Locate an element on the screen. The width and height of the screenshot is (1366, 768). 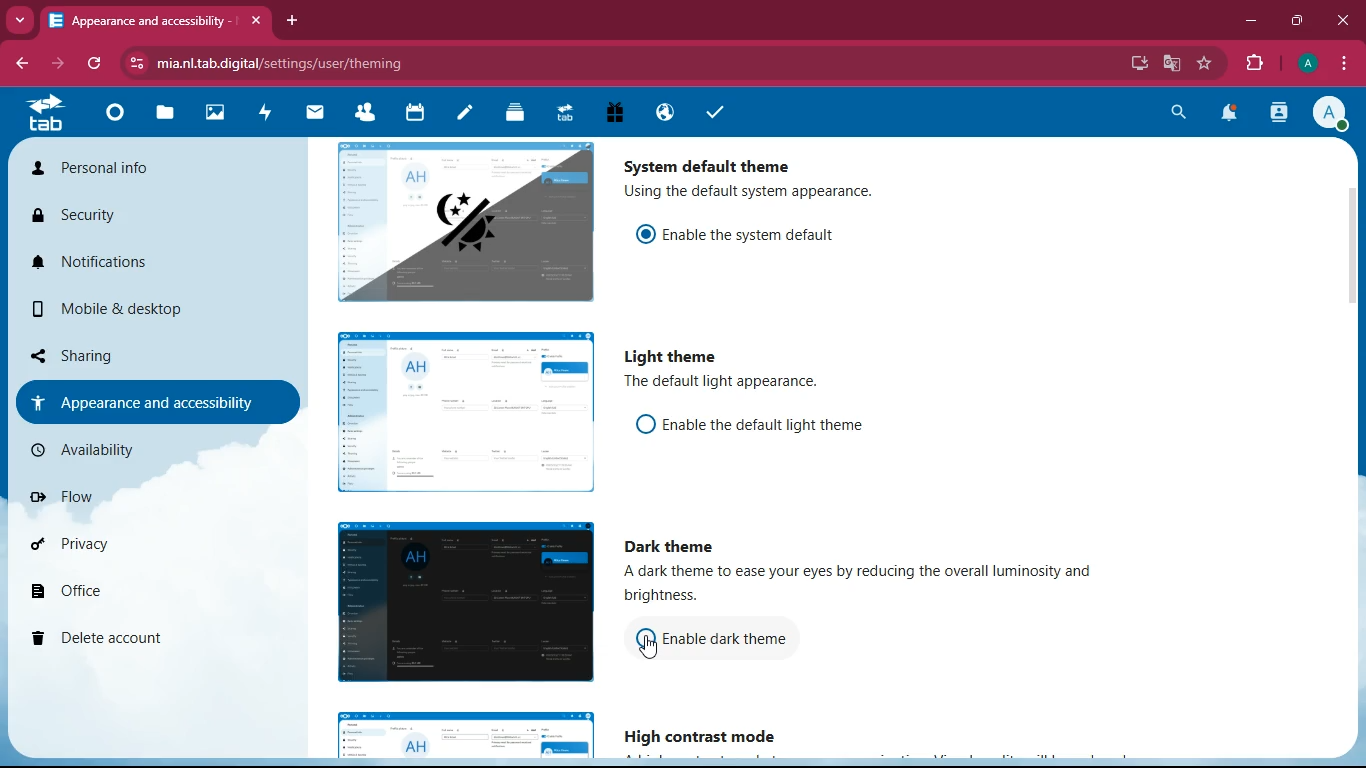
back is located at coordinates (26, 63).